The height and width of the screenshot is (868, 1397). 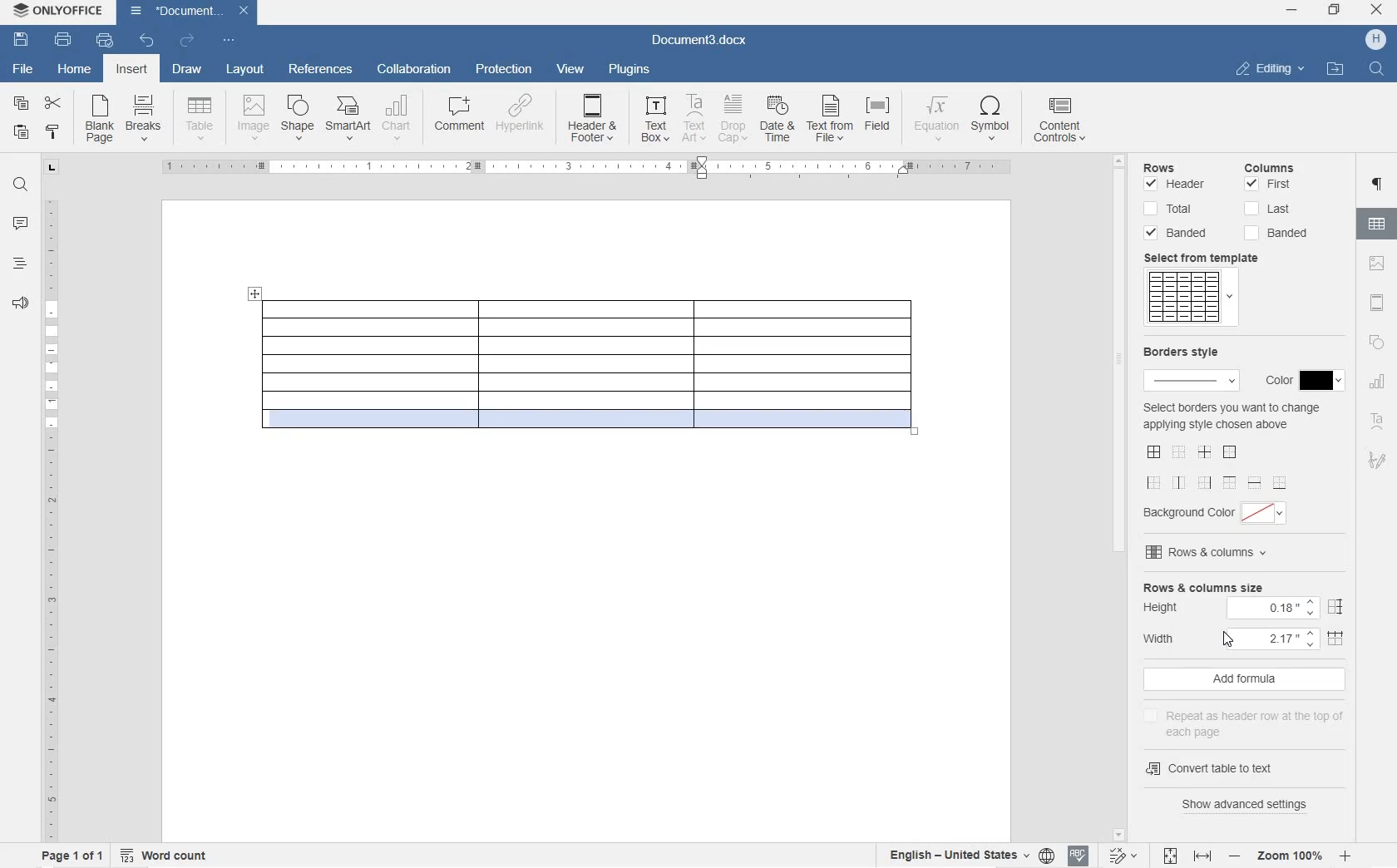 What do you see at coordinates (1268, 185) in the screenshot?
I see `First` at bounding box center [1268, 185].